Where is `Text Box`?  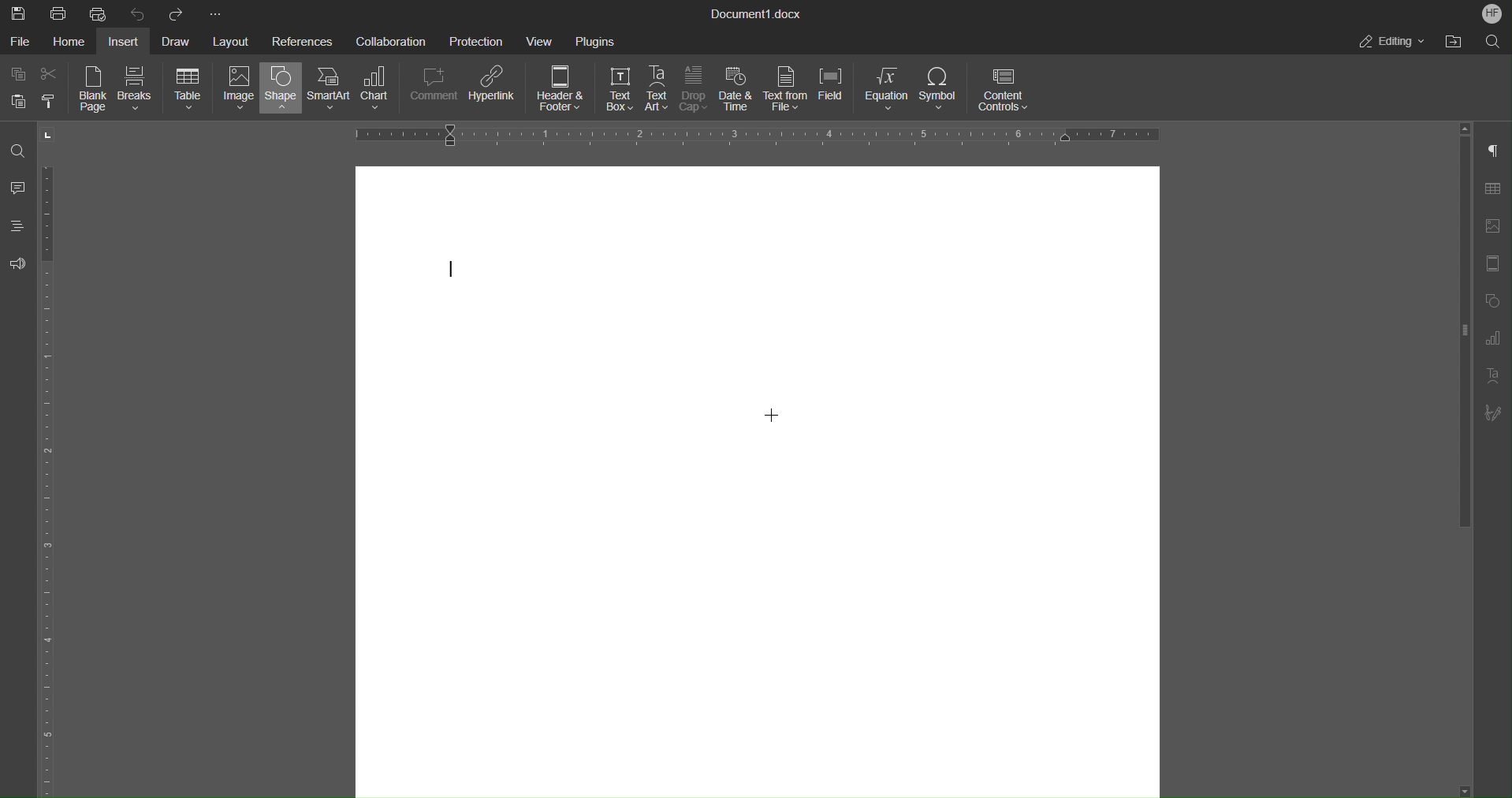 Text Box is located at coordinates (614, 91).